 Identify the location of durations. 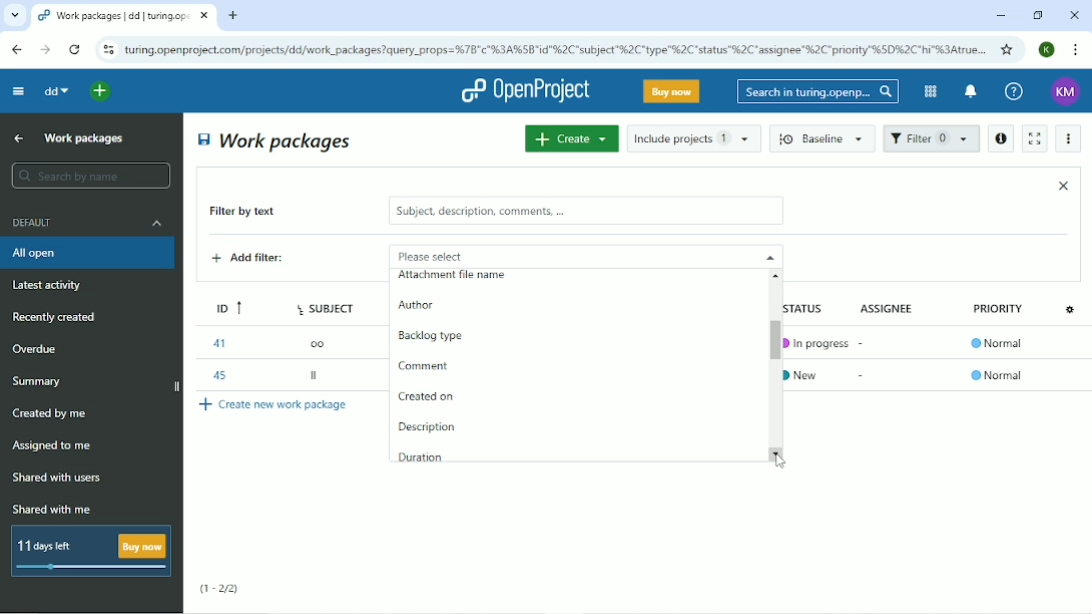
(427, 457).